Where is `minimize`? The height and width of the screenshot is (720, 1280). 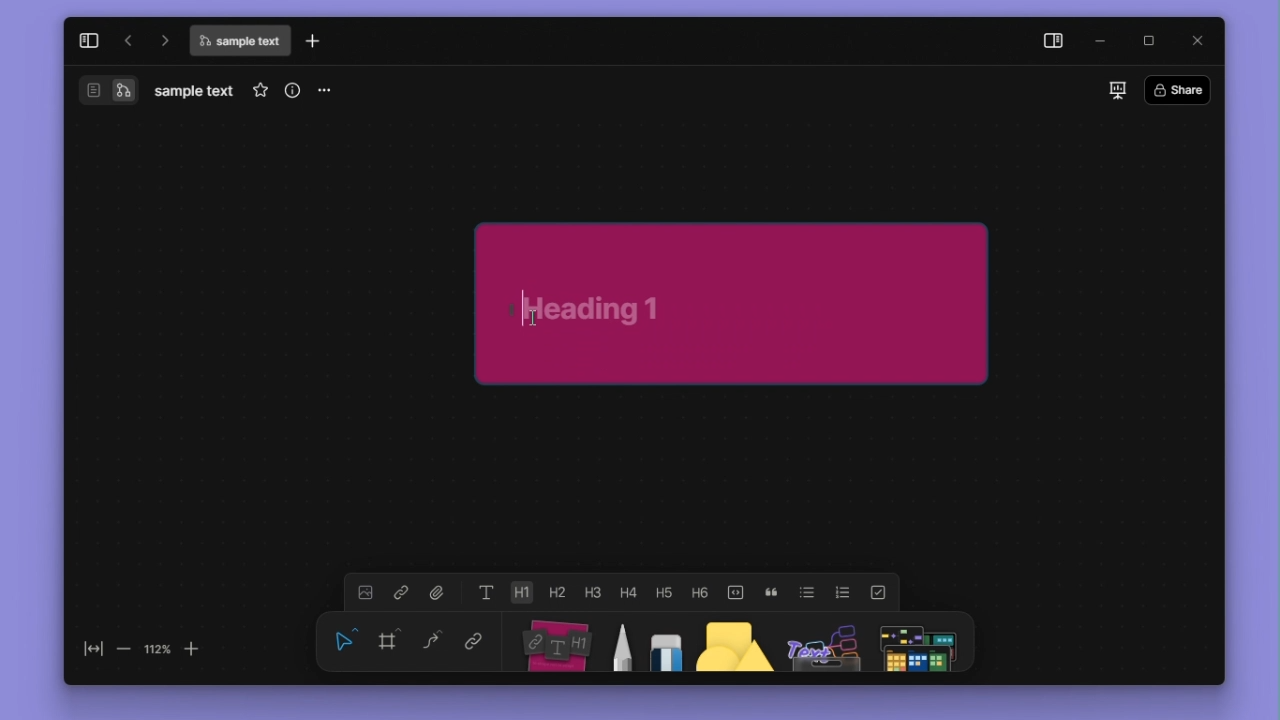
minimize is located at coordinates (1102, 42).